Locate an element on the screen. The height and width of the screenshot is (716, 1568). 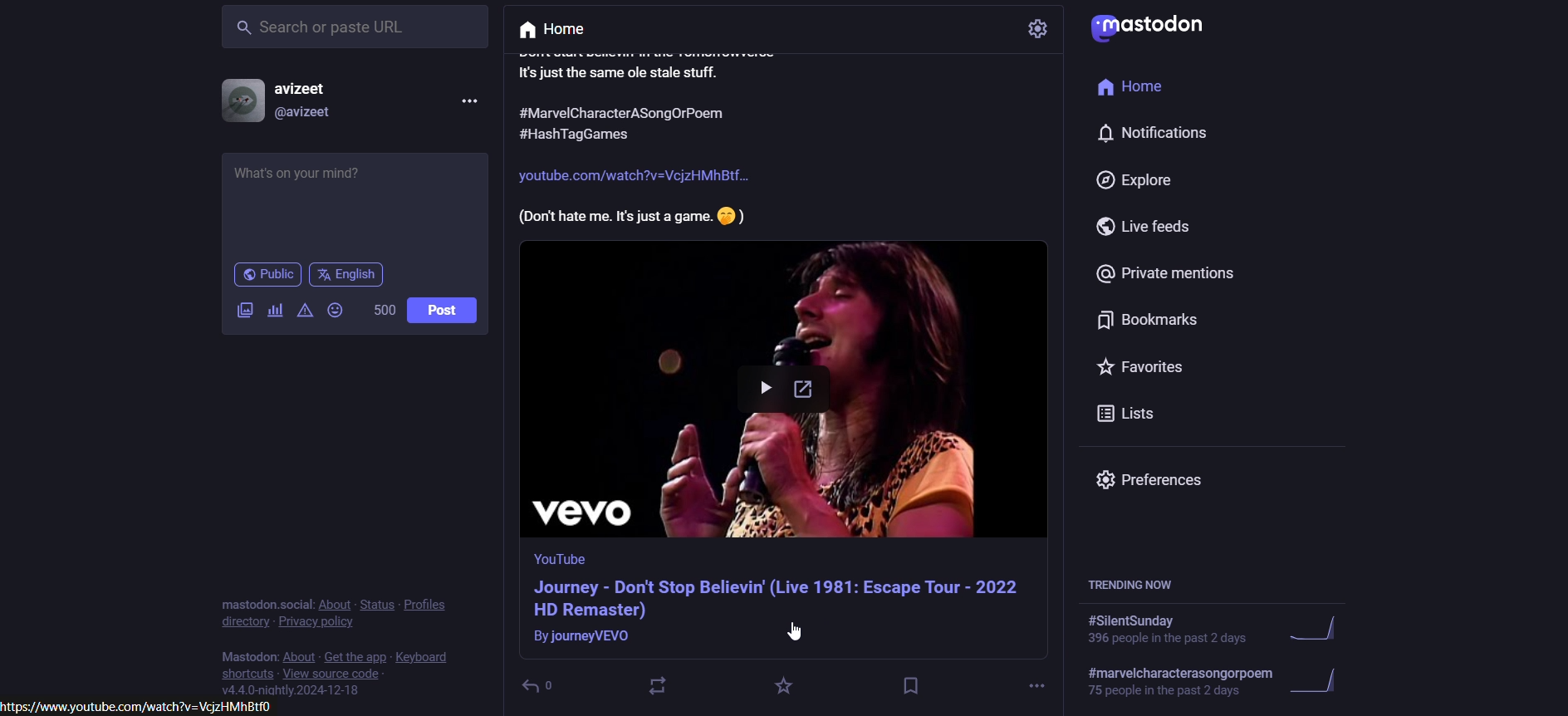
about is located at coordinates (296, 656).